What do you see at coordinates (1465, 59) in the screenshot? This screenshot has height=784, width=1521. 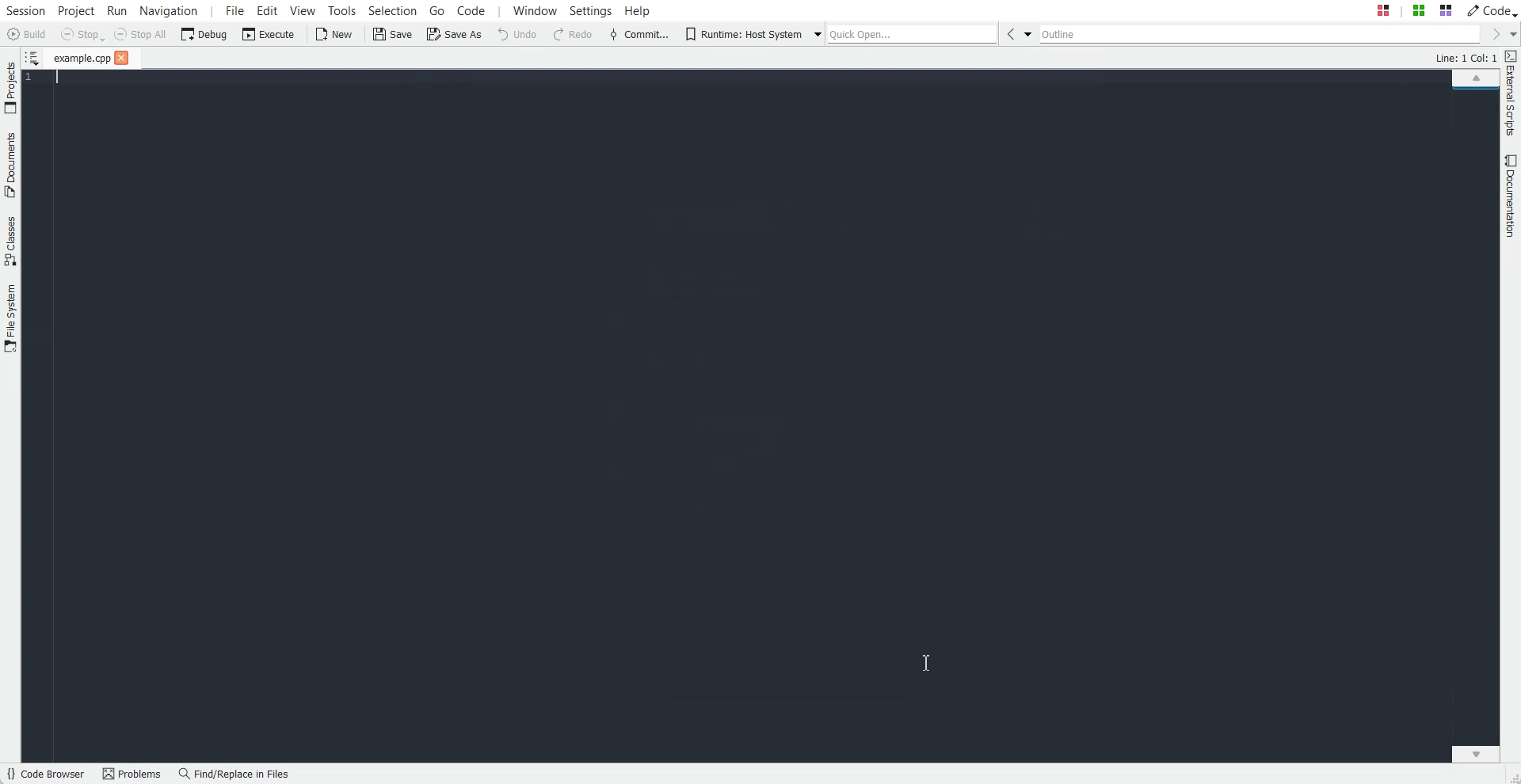 I see `Text` at bounding box center [1465, 59].